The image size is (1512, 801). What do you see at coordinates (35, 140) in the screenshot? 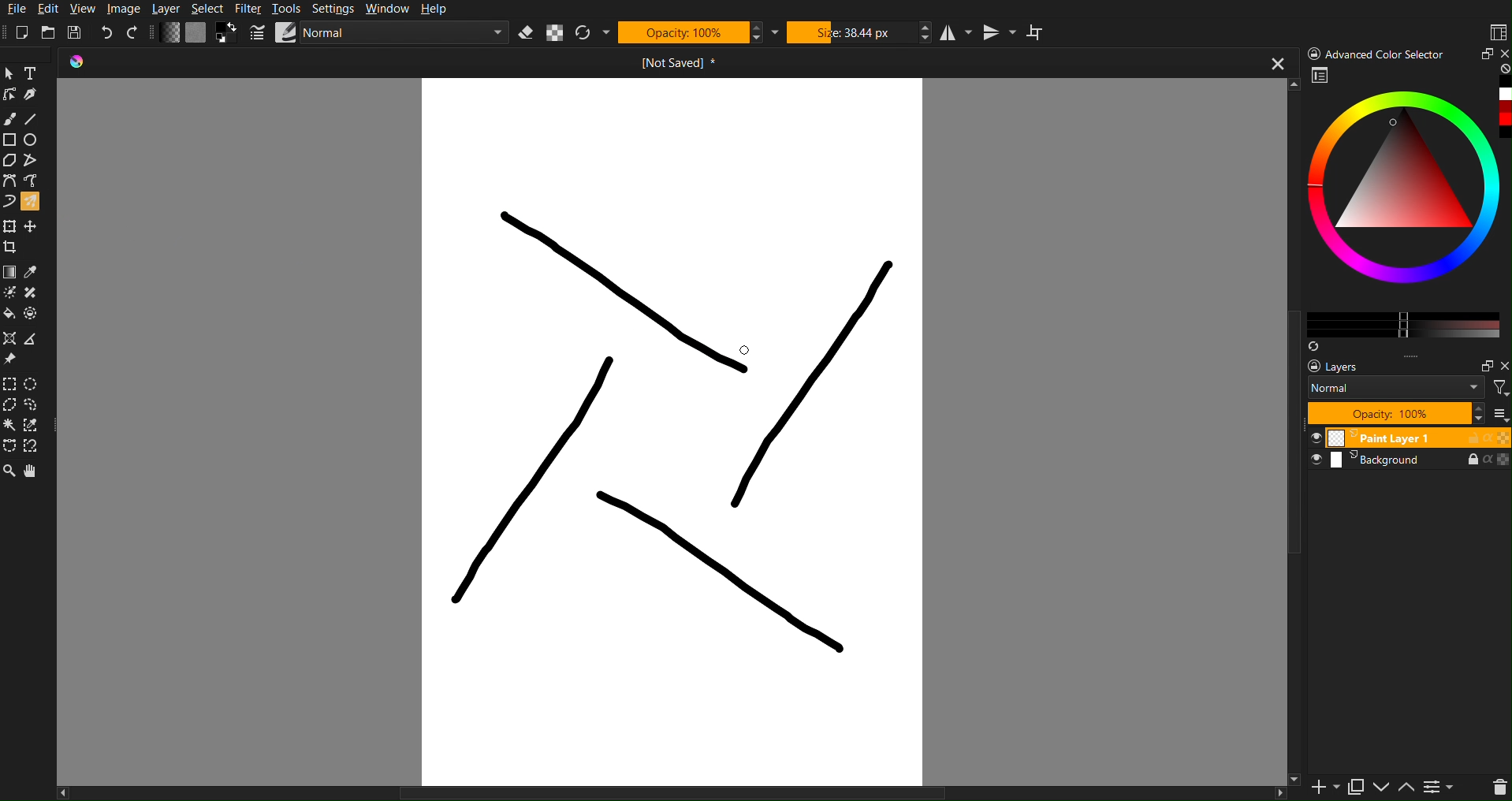
I see `Eclipse` at bounding box center [35, 140].